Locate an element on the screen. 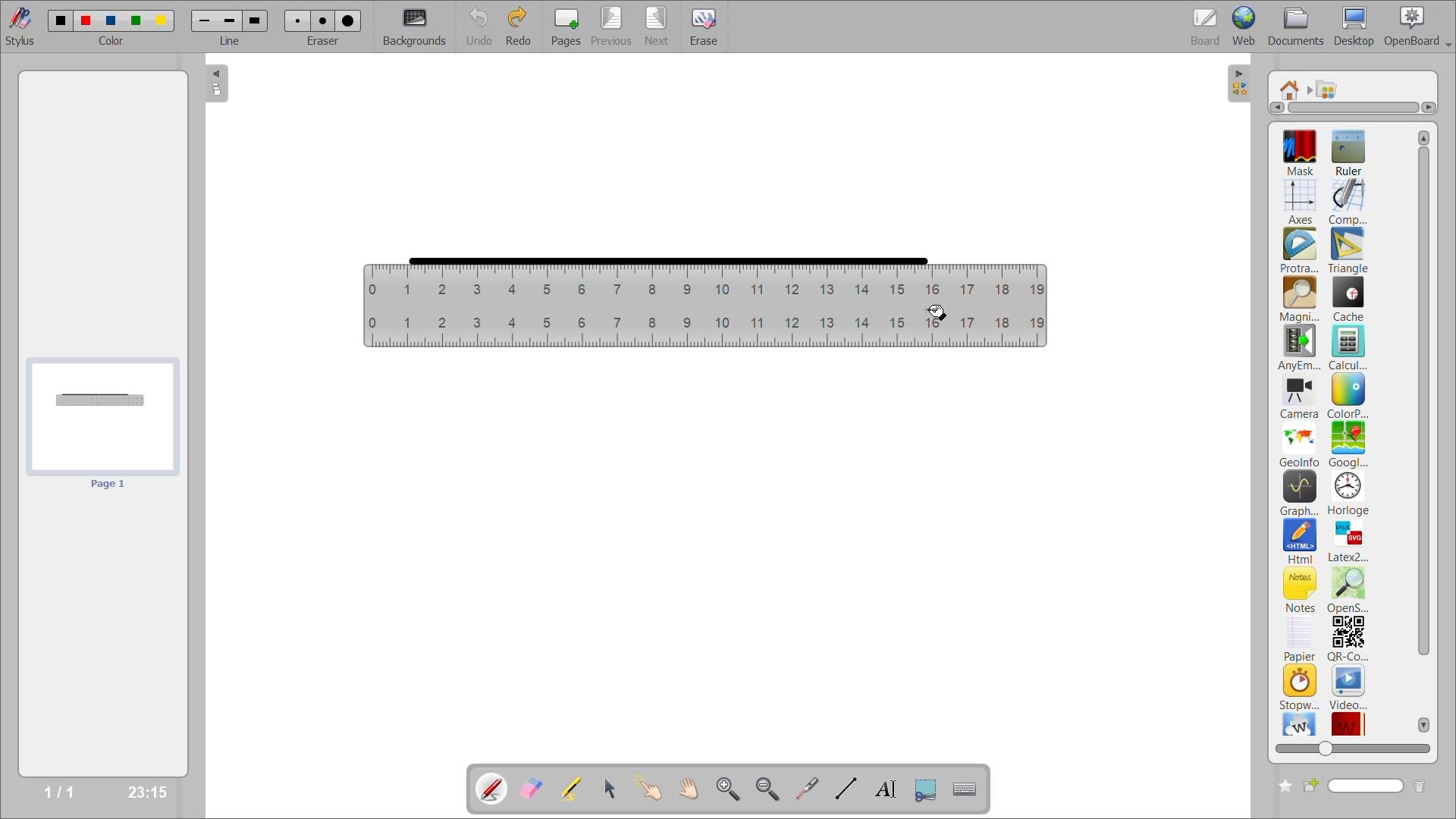 Image resolution: width=1456 pixels, height=819 pixels. horizontal scroll bar is located at coordinates (1354, 108).